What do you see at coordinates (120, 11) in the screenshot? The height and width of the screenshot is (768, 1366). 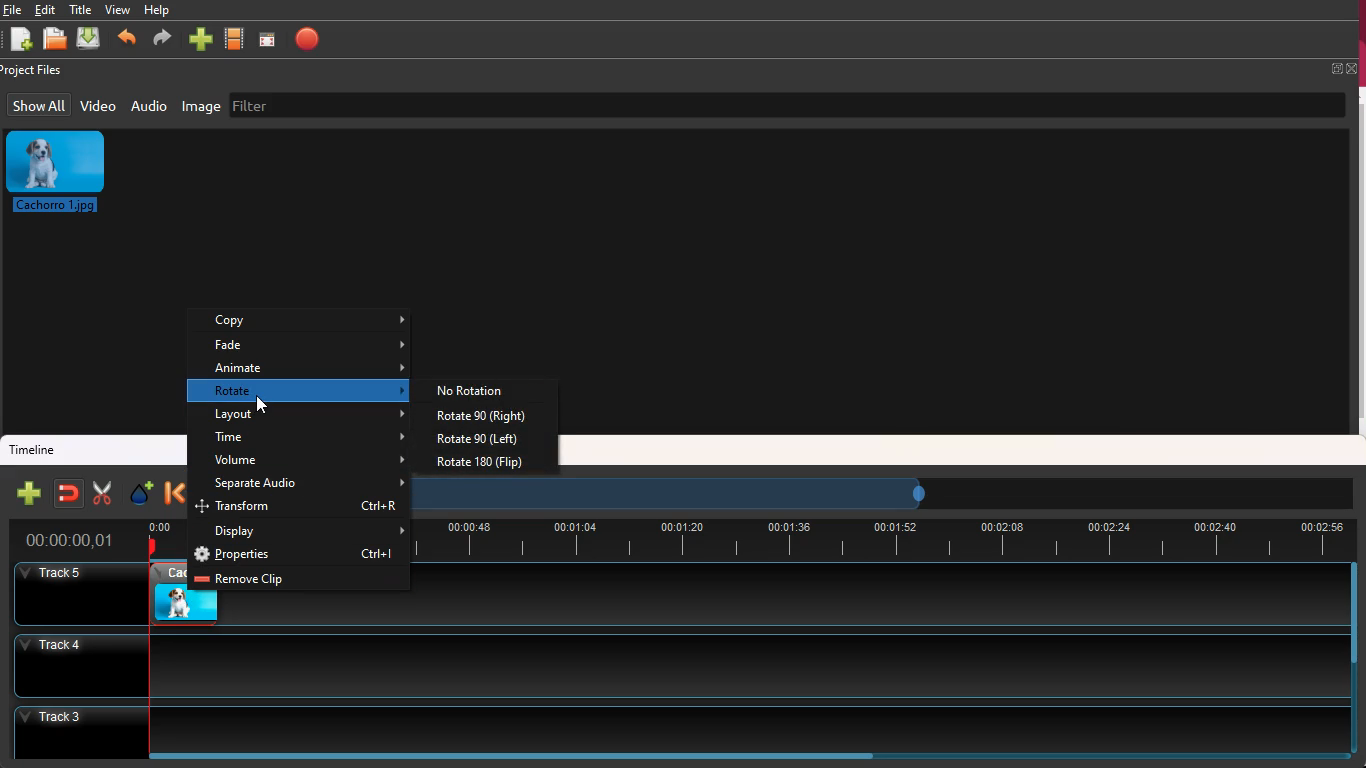 I see `view` at bounding box center [120, 11].